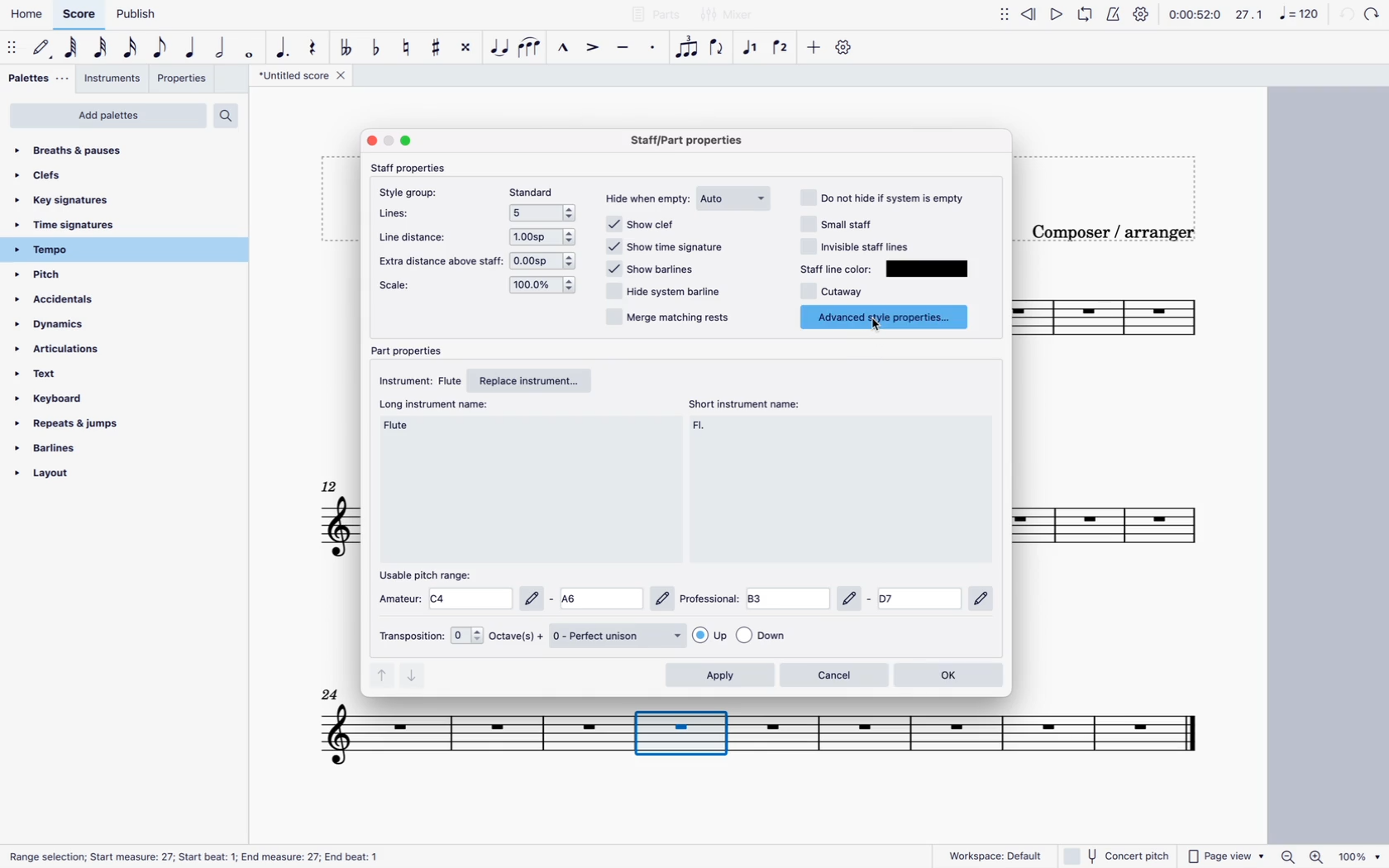 This screenshot has width=1389, height=868. I want to click on cutaway, so click(830, 293).